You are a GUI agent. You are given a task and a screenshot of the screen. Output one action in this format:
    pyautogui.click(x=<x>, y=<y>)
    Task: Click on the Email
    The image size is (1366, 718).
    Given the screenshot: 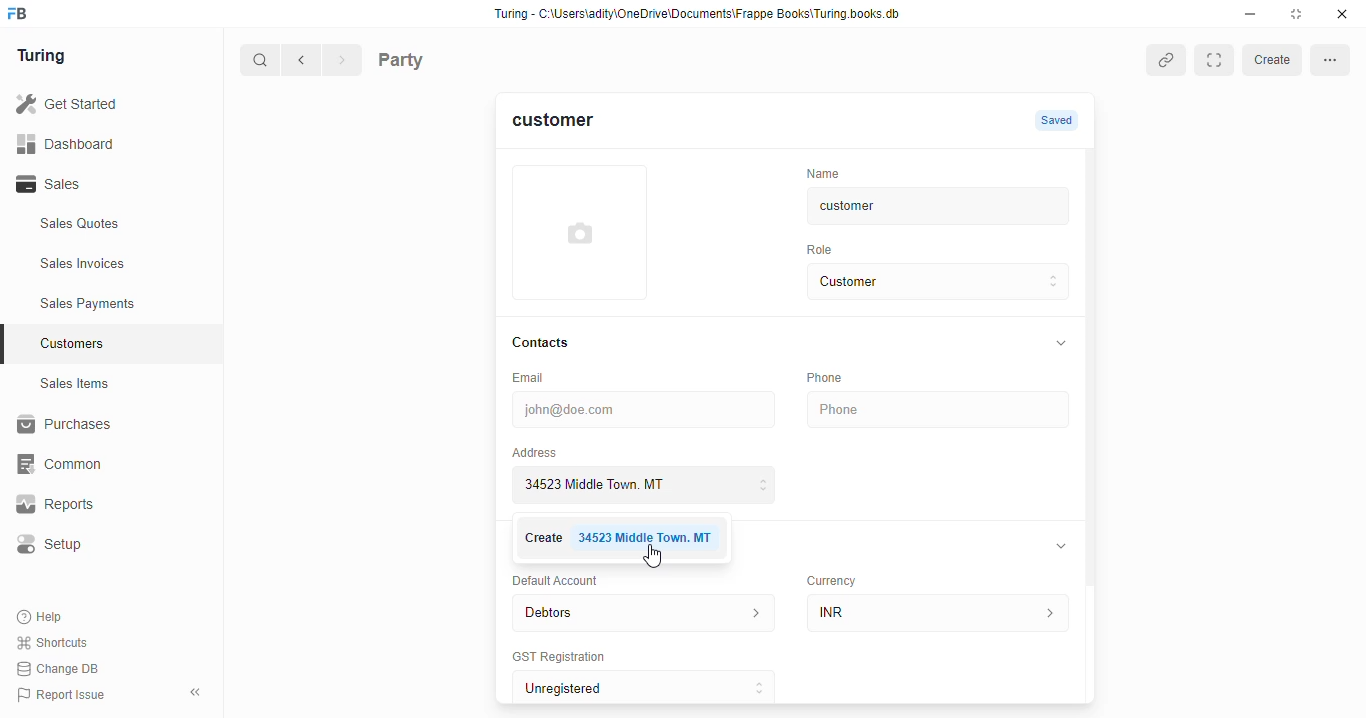 What is the action you would take?
    pyautogui.click(x=530, y=377)
    